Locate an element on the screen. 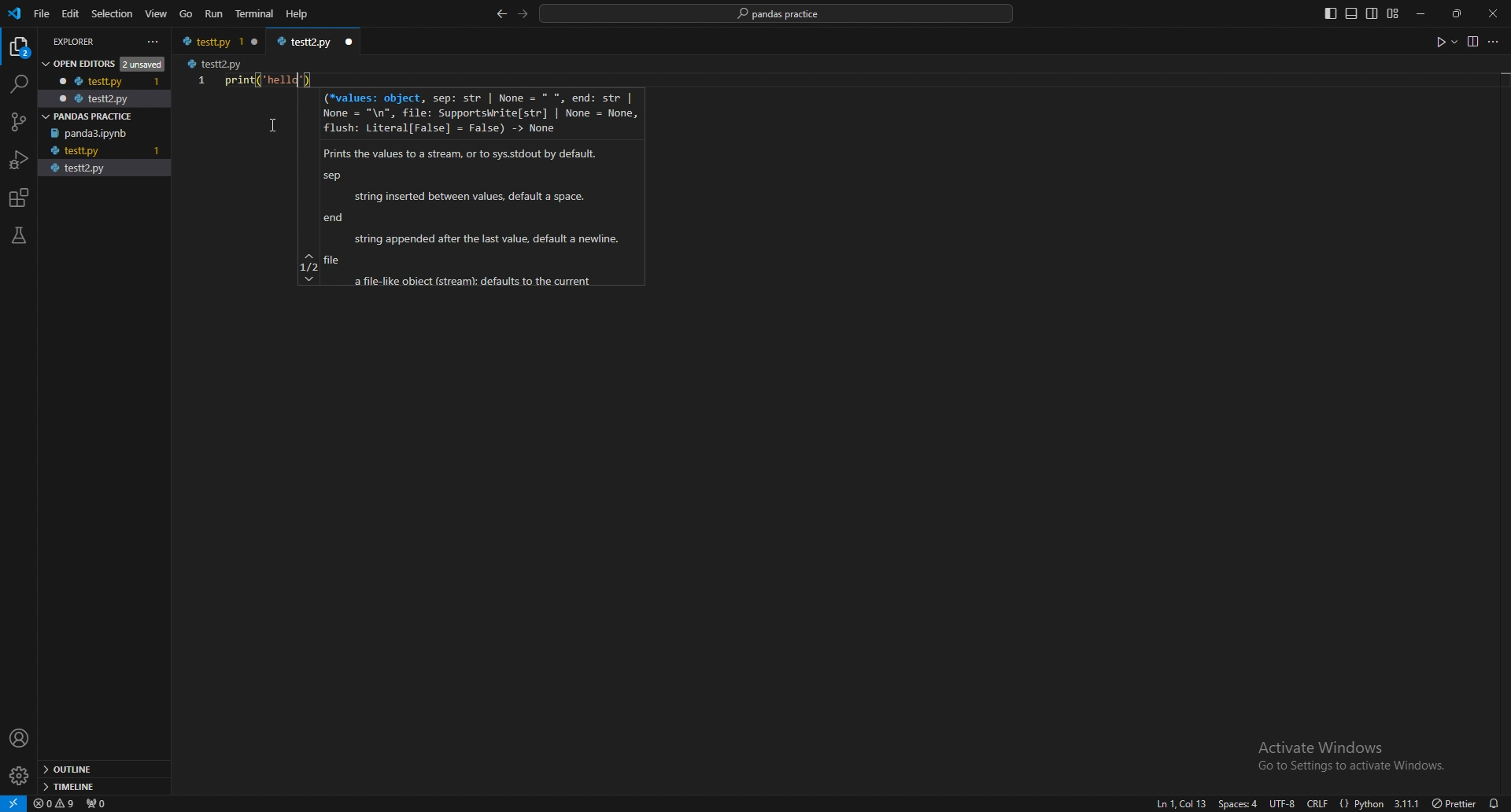 This screenshot has width=1511, height=812. source control is located at coordinates (17, 122).